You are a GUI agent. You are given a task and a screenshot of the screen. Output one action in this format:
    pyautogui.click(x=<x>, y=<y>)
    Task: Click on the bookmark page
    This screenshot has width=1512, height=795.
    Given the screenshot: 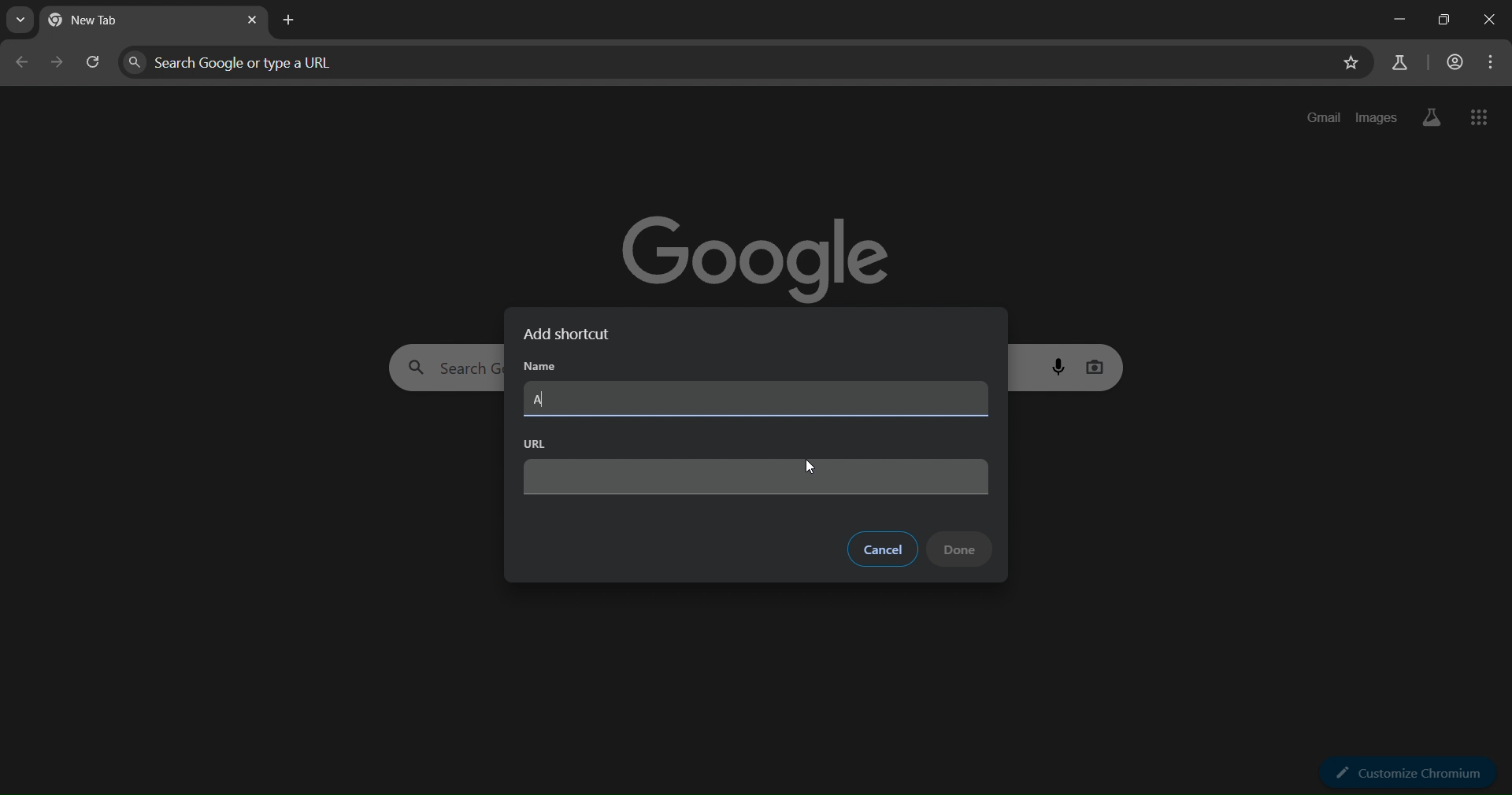 What is the action you would take?
    pyautogui.click(x=1349, y=65)
    